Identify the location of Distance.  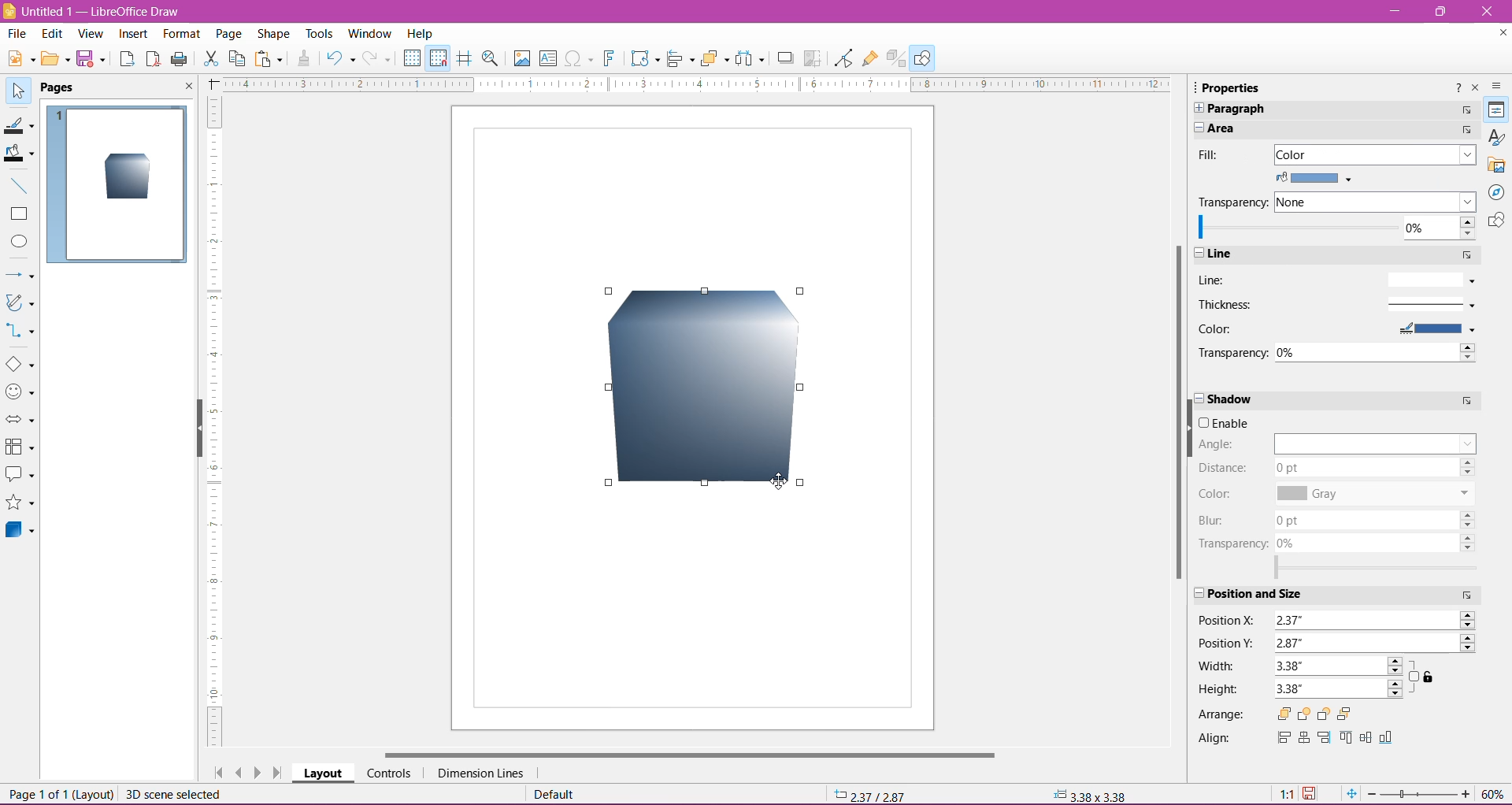
(1223, 468).